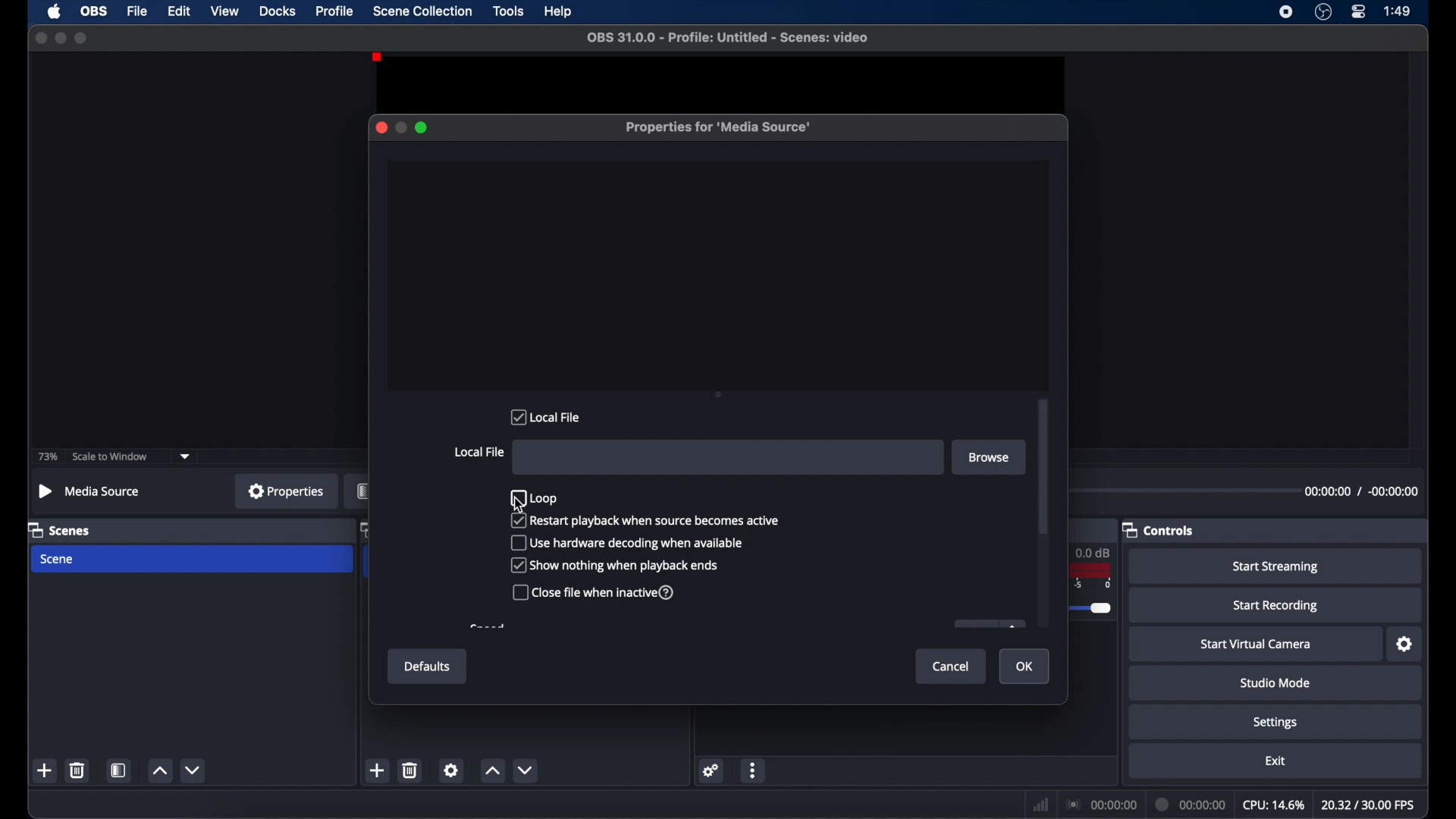 Image resolution: width=1456 pixels, height=819 pixels. I want to click on Controls, so click(1162, 531).